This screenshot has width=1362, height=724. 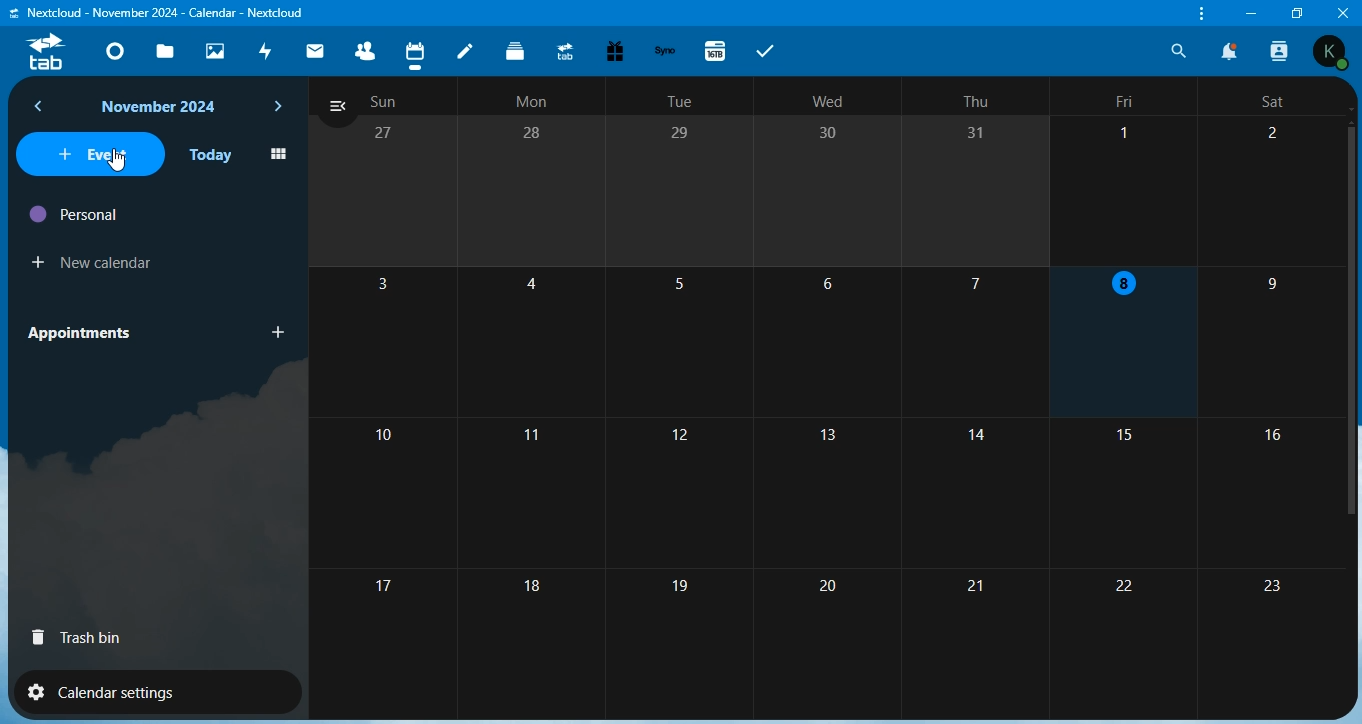 What do you see at coordinates (721, 48) in the screenshot?
I see `16tb` at bounding box center [721, 48].